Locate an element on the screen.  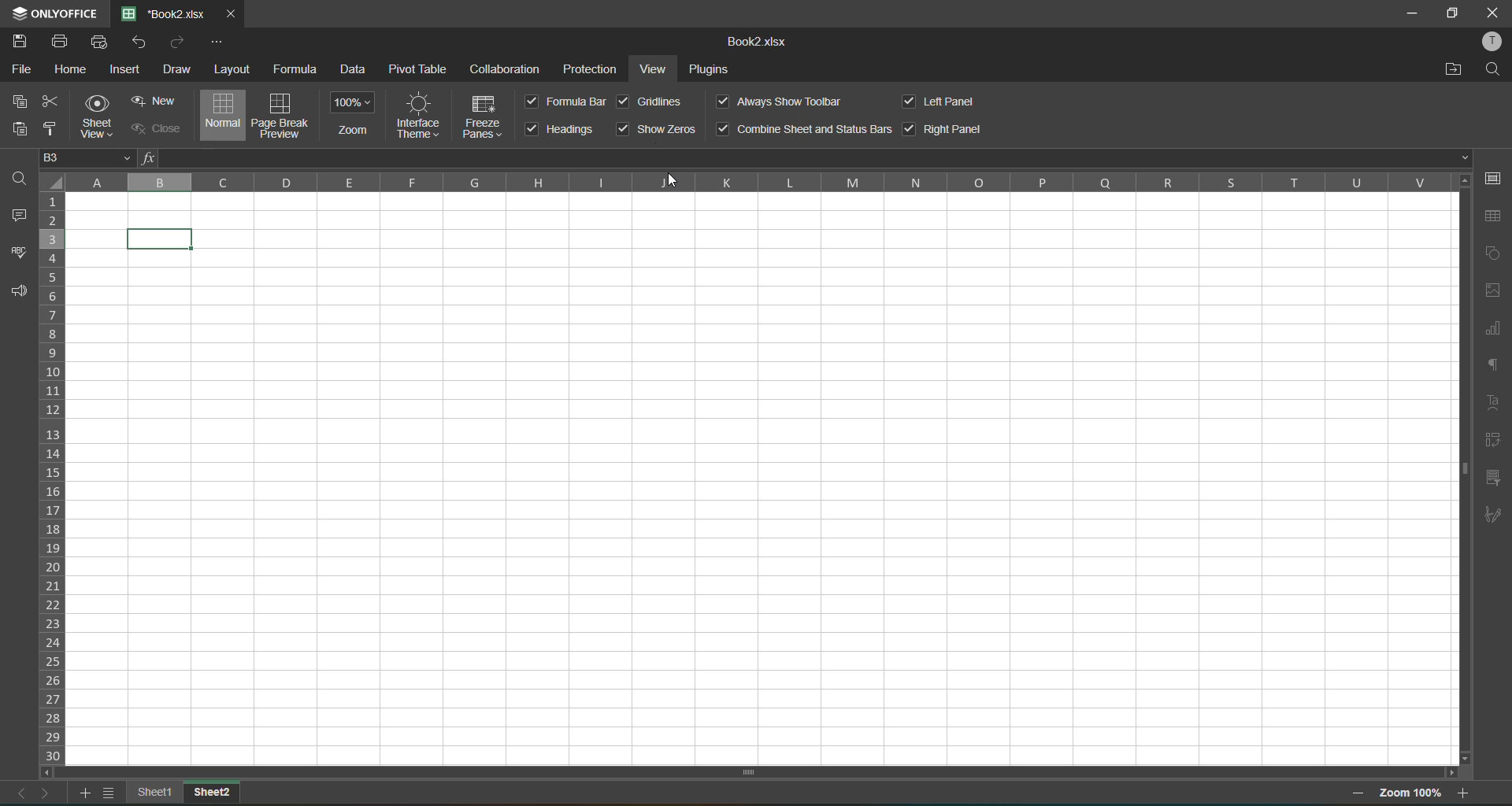
sheetlist is located at coordinates (113, 793).